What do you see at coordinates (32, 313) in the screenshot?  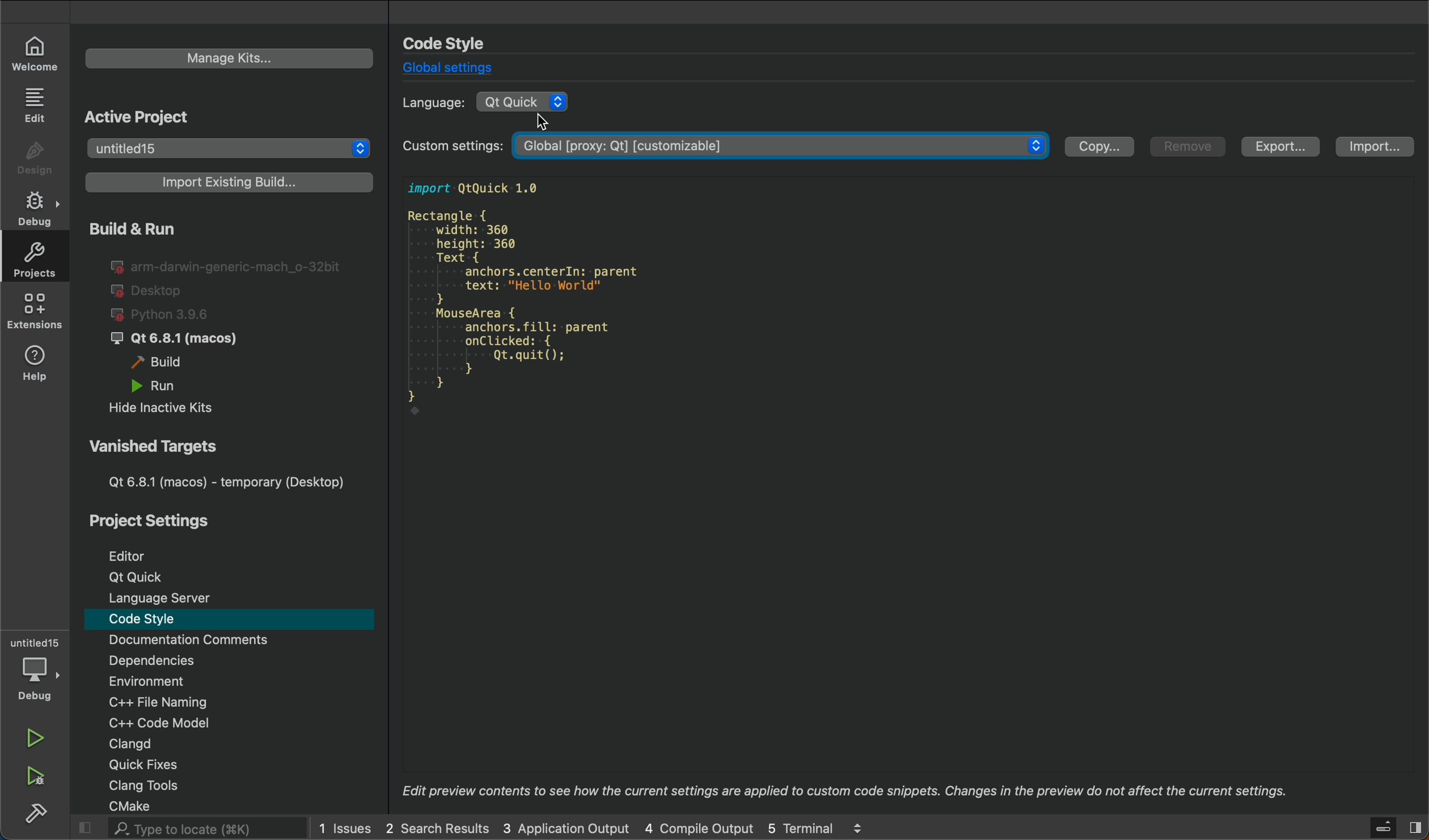 I see `extensions` at bounding box center [32, 313].